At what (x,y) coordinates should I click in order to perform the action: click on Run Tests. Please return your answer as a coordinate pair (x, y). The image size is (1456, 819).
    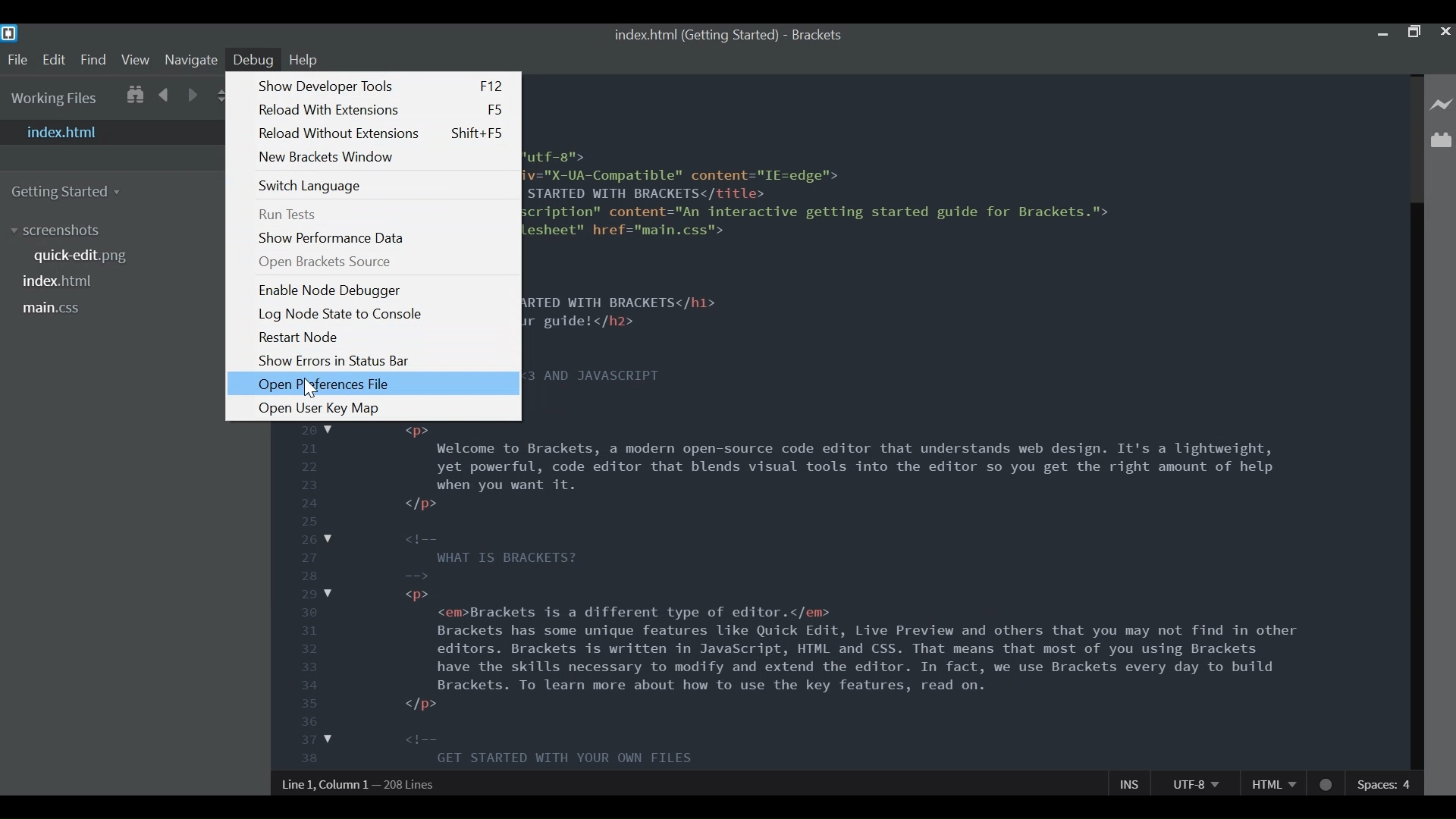
    Looking at the image, I should click on (287, 215).